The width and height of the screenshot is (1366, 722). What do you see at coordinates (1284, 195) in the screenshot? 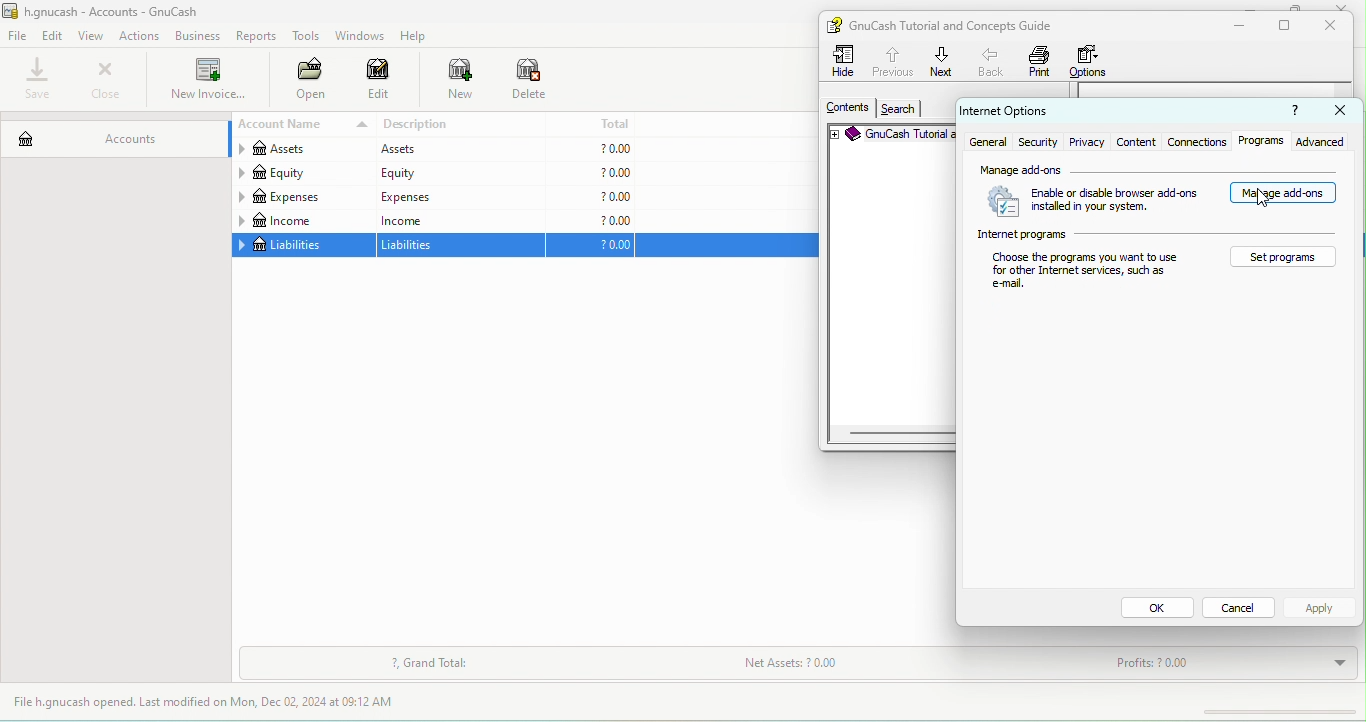
I see `manage add  ons` at bounding box center [1284, 195].